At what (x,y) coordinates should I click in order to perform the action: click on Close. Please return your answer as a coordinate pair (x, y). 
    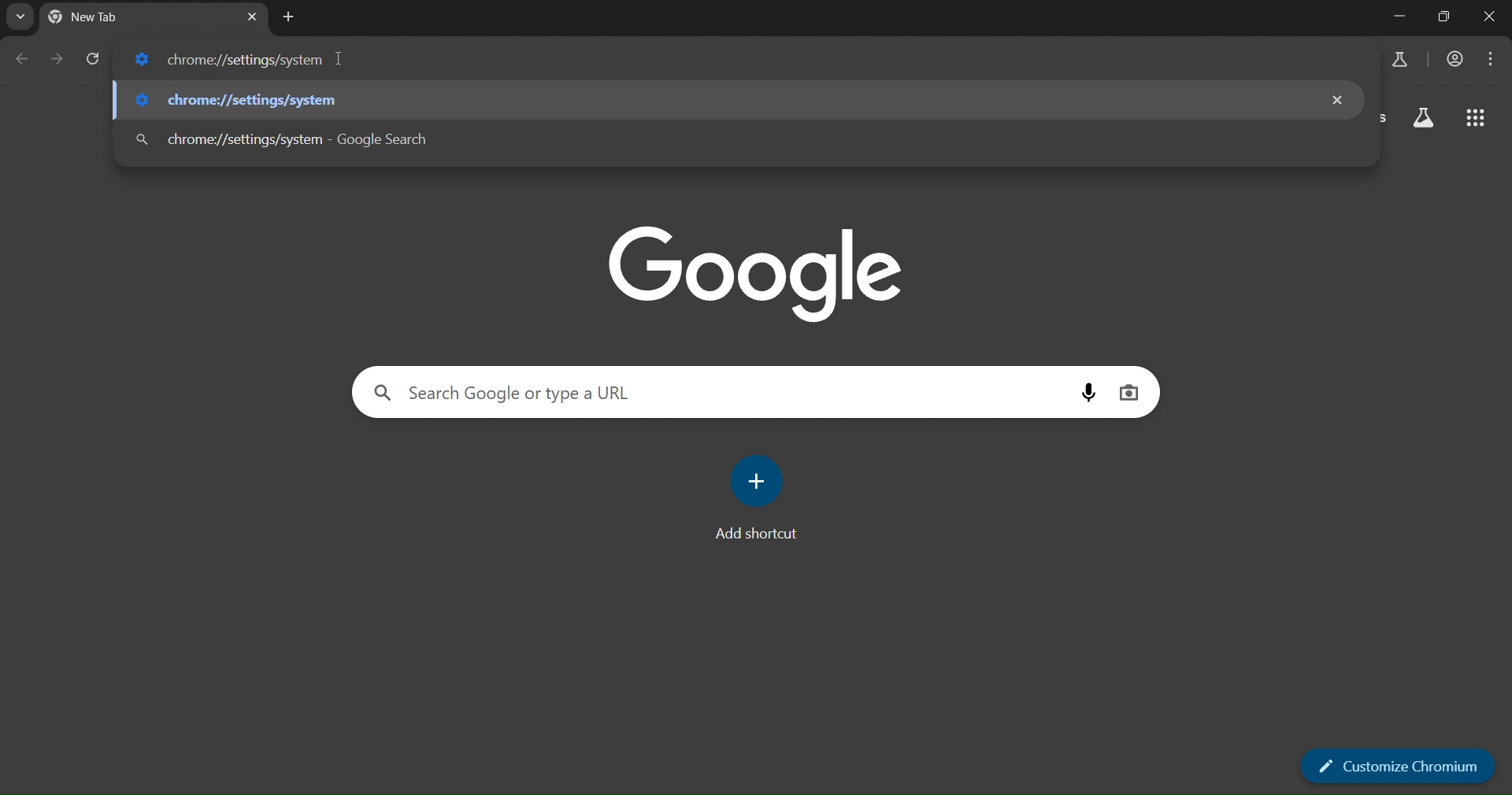
    Looking at the image, I should click on (1492, 17).